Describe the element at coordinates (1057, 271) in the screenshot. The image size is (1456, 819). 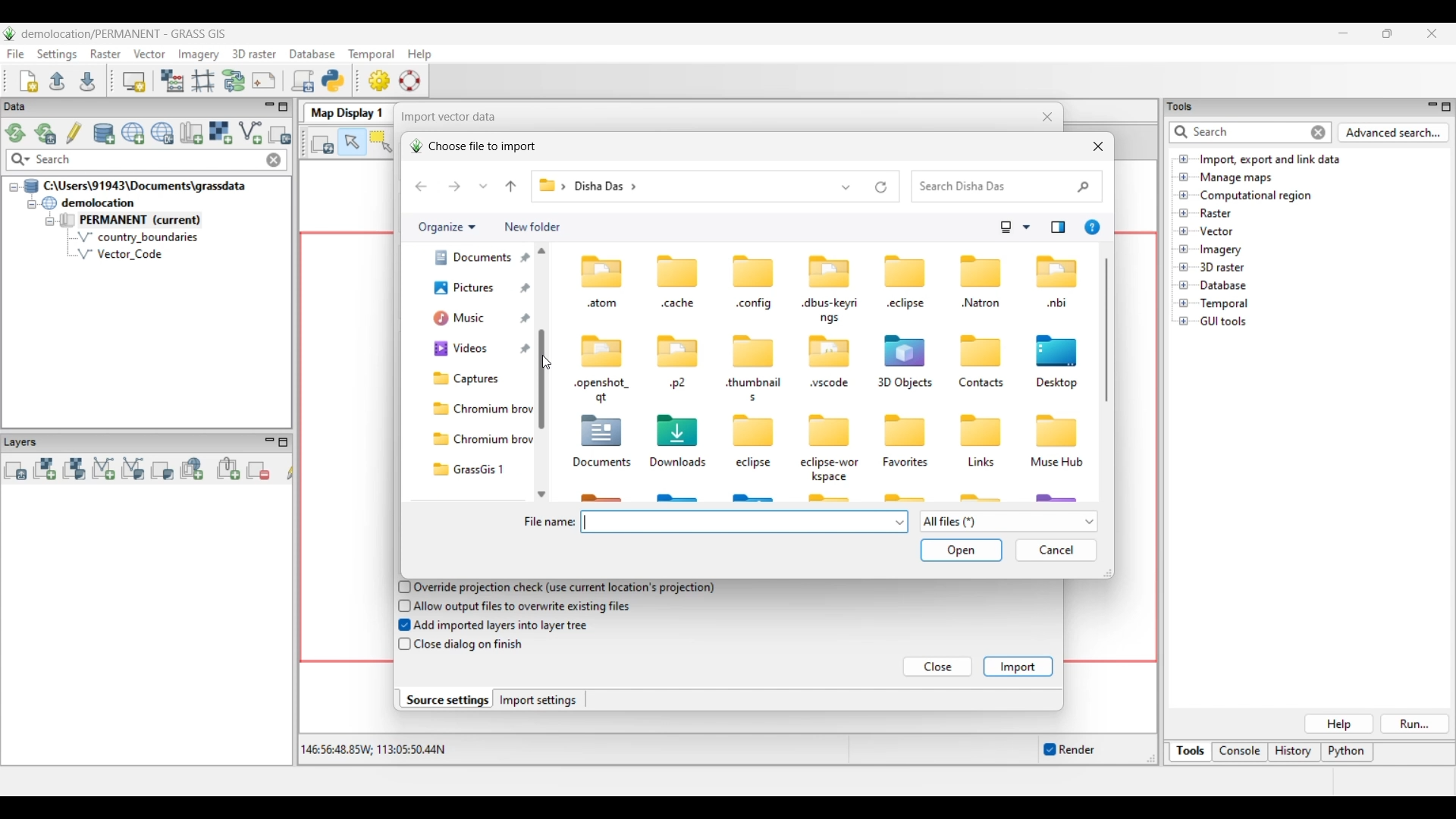
I see `icon` at that location.